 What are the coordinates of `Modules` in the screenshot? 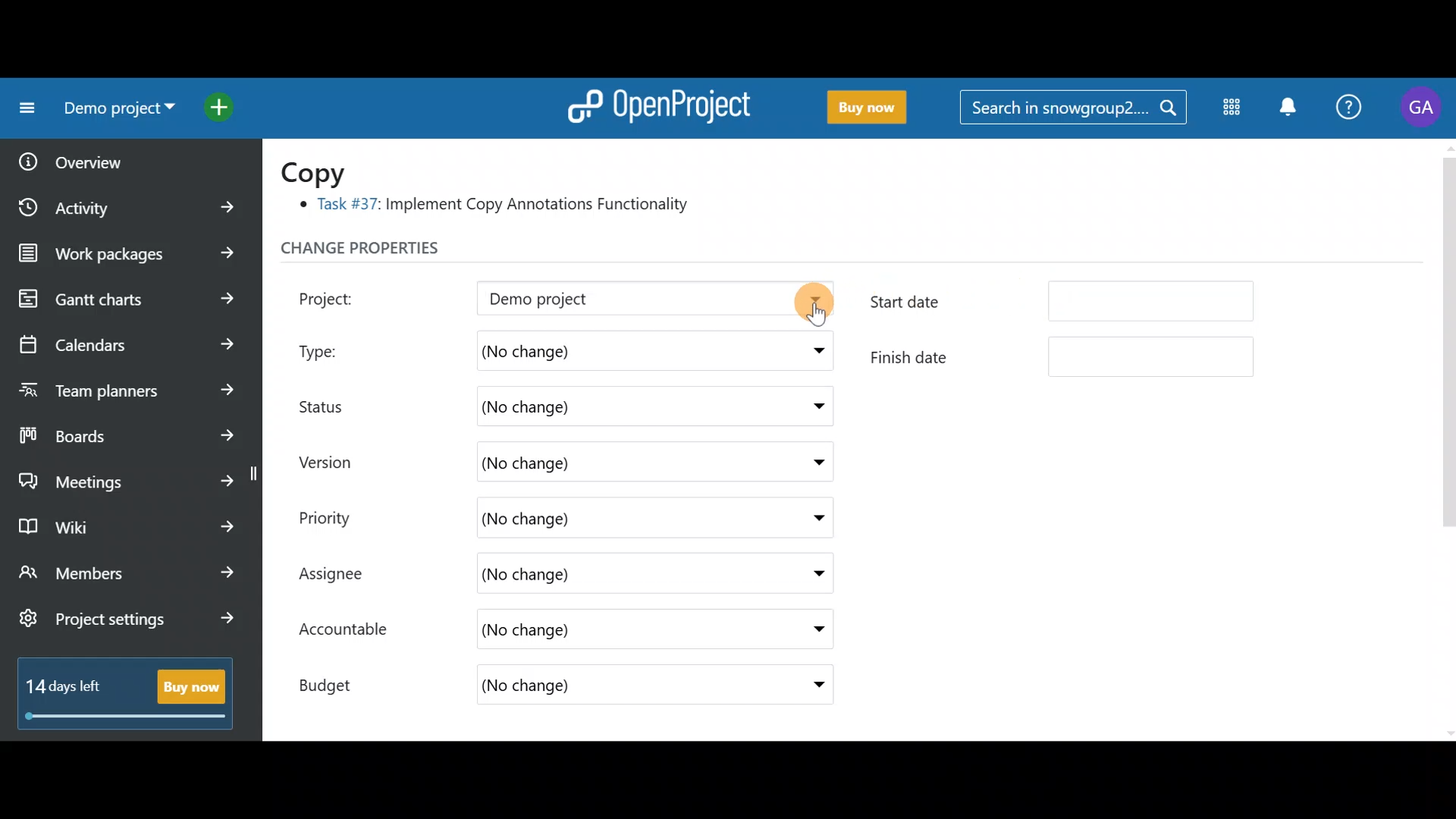 It's located at (1227, 110).